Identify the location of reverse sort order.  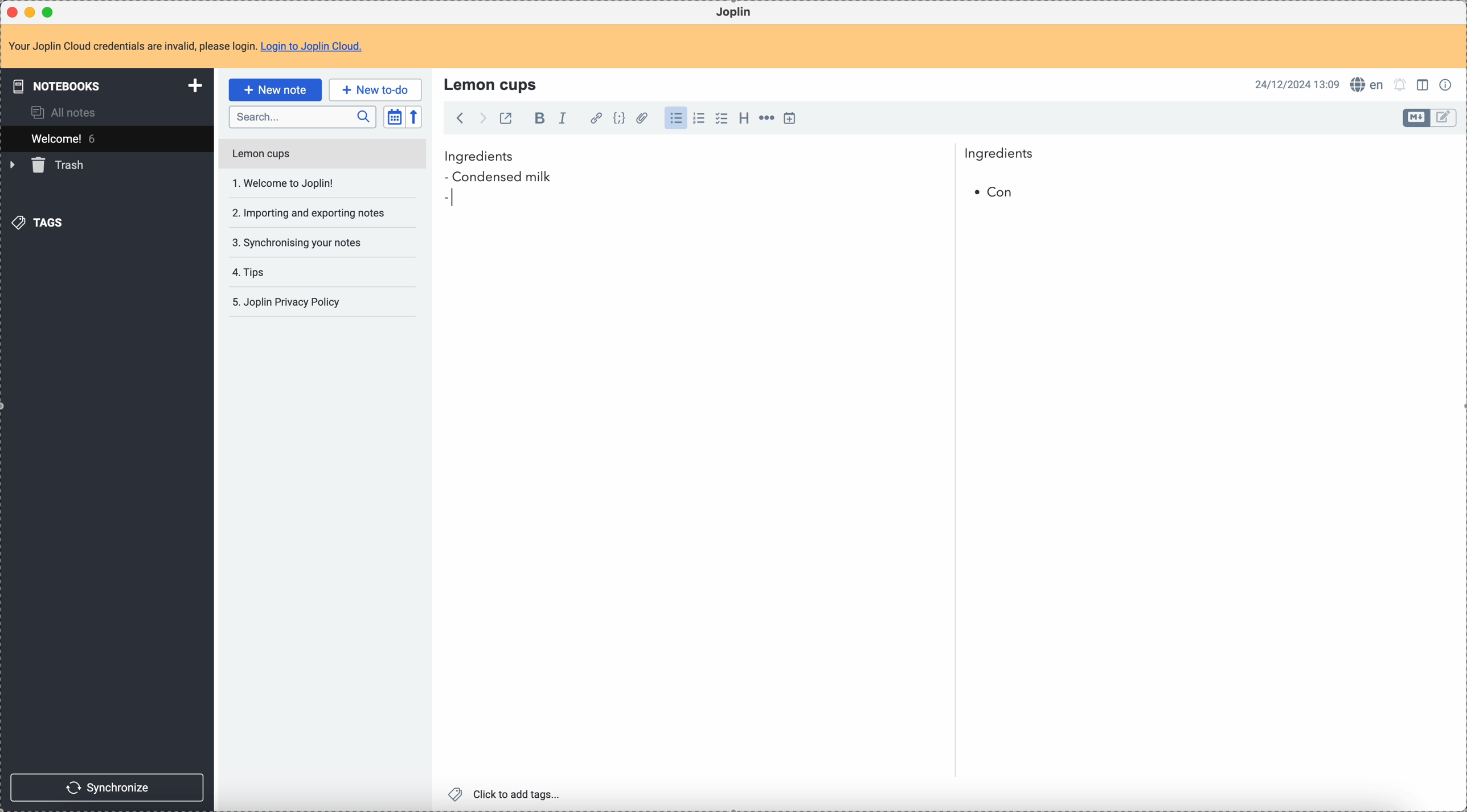
(416, 117).